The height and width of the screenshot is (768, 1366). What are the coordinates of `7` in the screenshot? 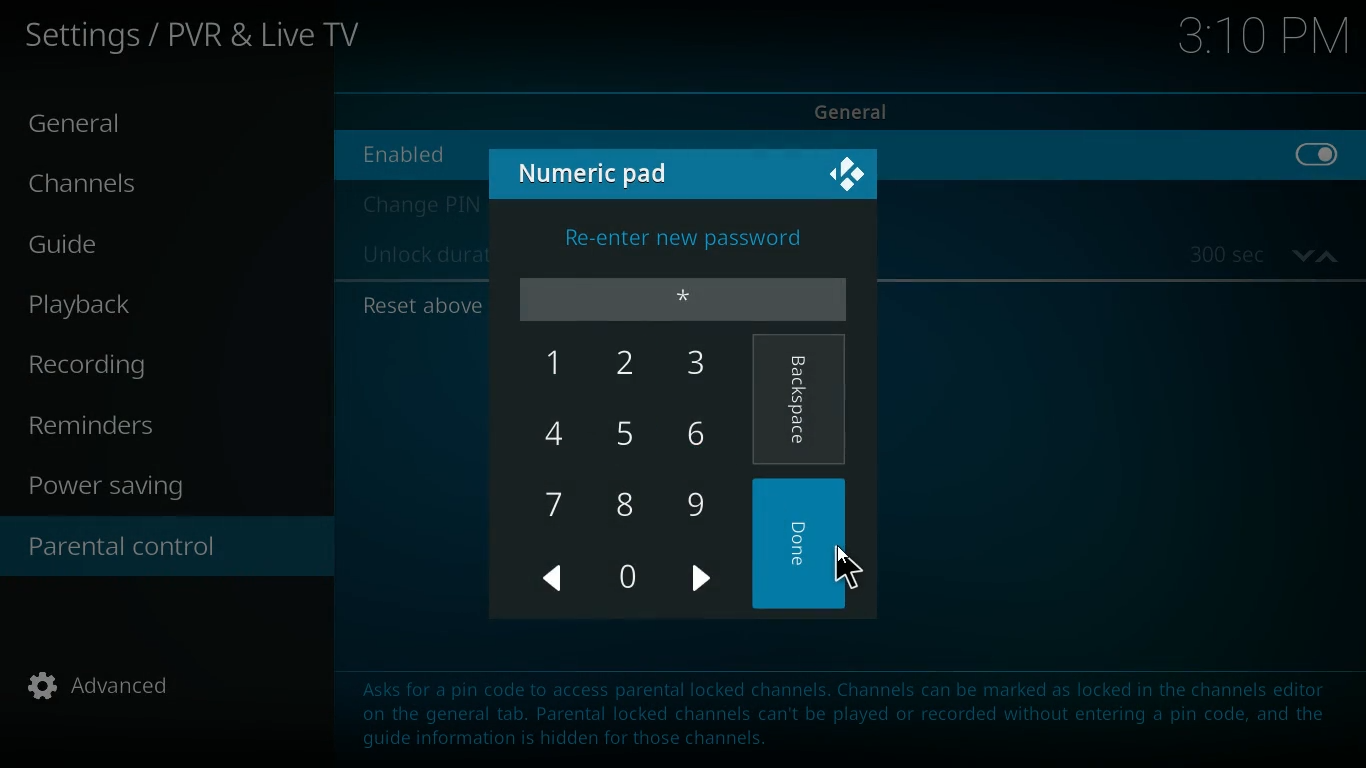 It's located at (559, 504).